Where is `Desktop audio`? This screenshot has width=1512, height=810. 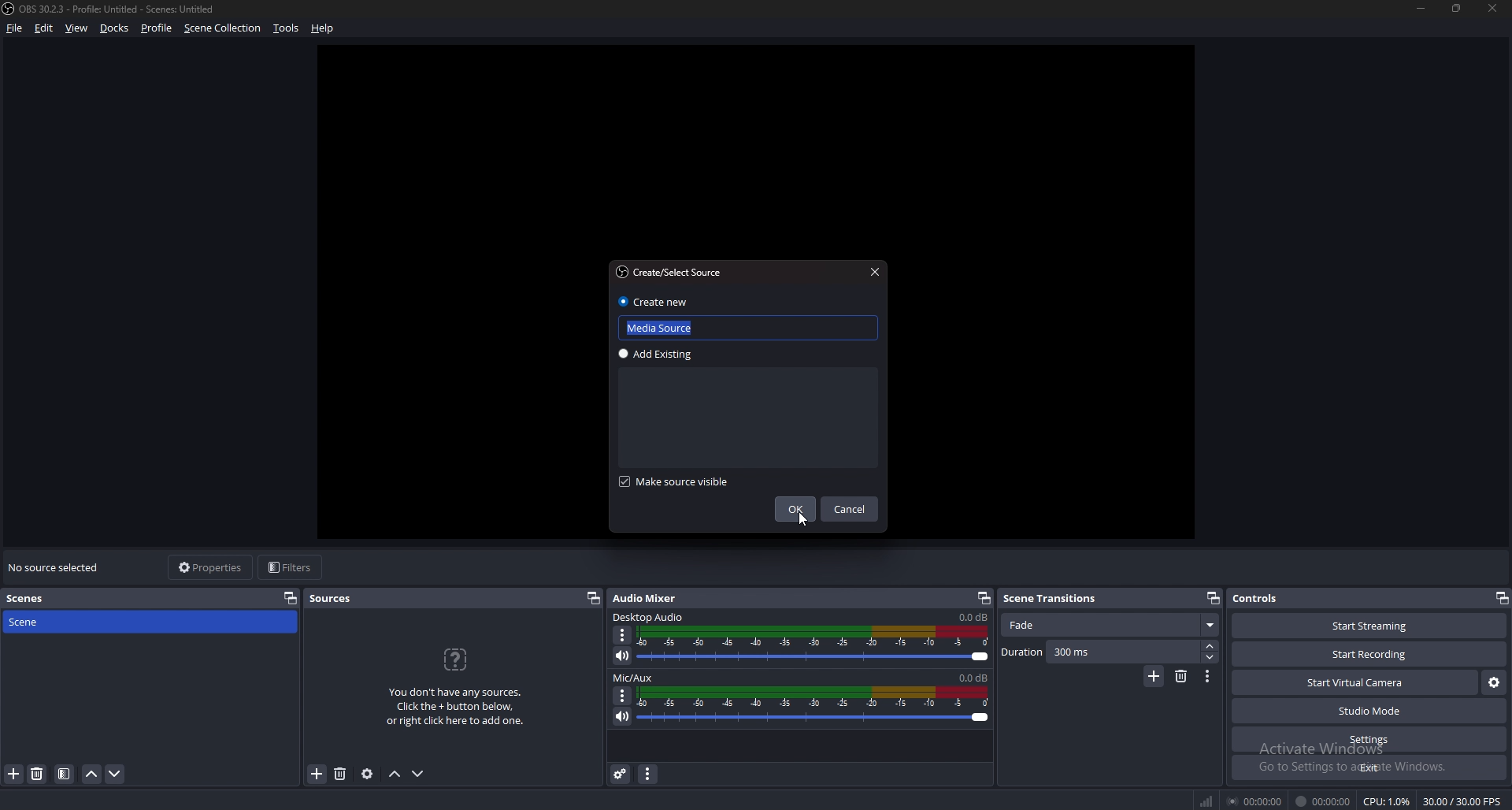
Desktop audio is located at coordinates (650, 616).